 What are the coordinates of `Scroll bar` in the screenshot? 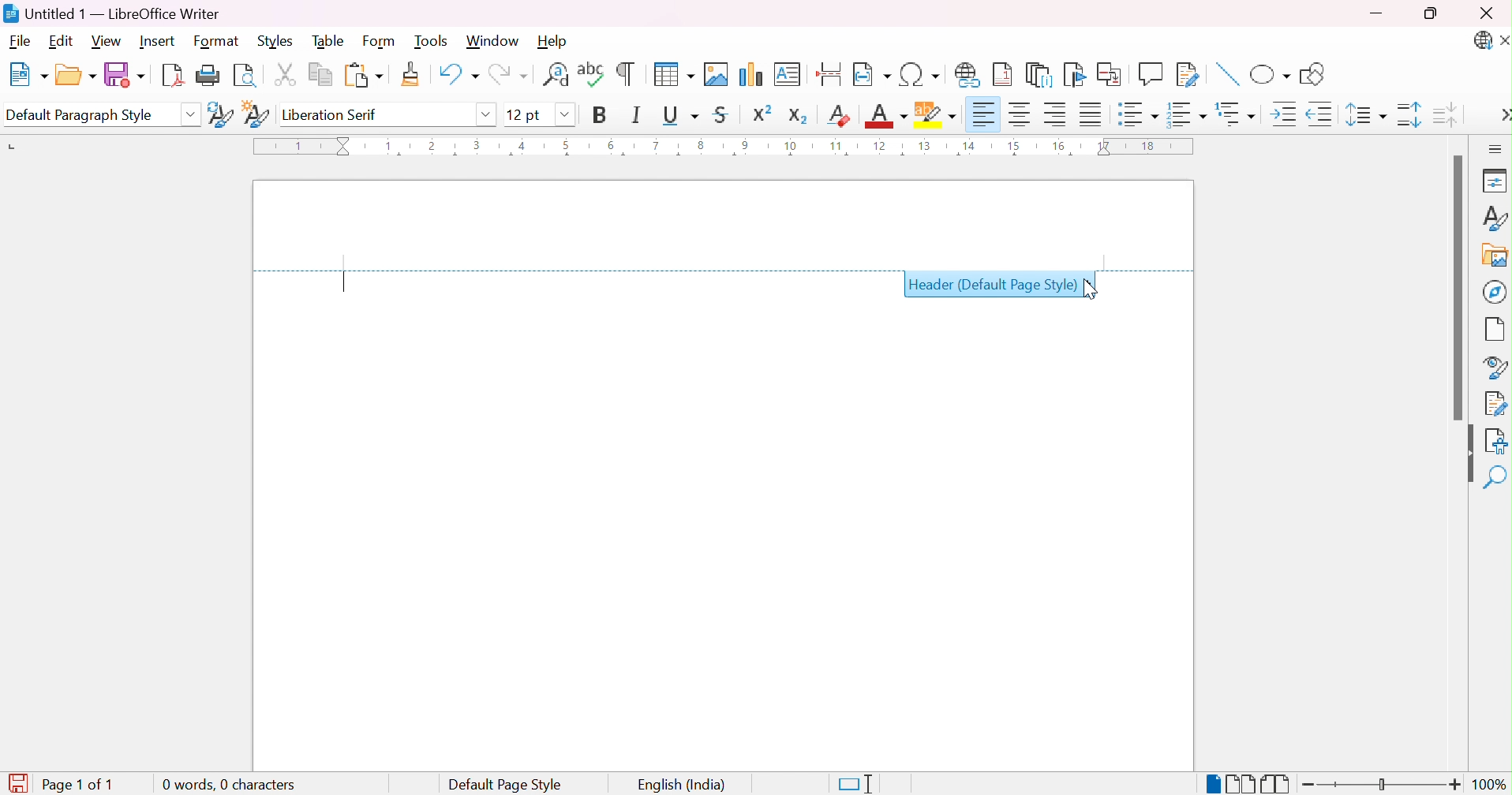 It's located at (1458, 286).